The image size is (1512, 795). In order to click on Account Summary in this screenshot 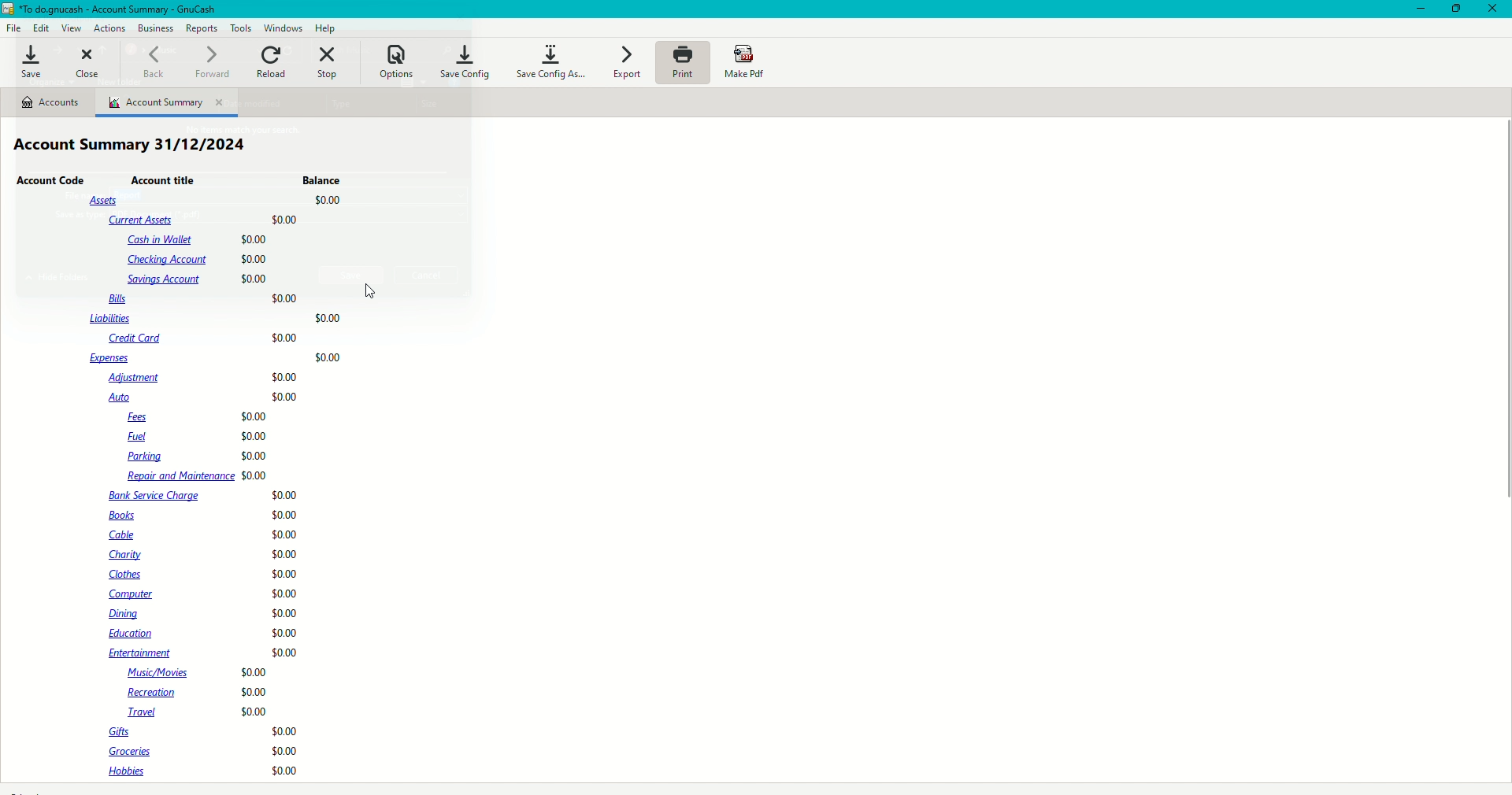, I will do `click(169, 103)`.